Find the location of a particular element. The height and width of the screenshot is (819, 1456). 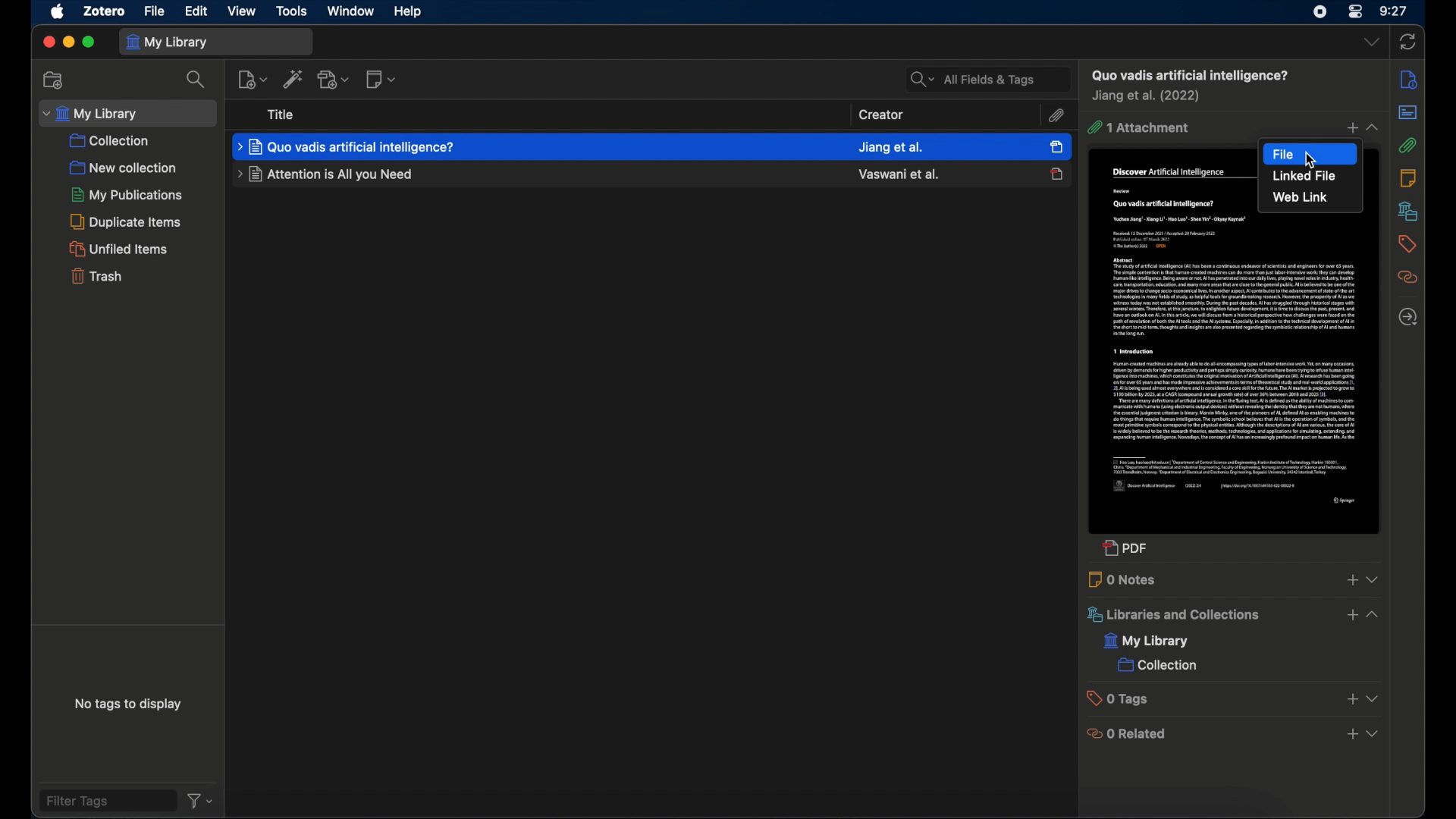

dropdown menu is located at coordinates (1373, 699).